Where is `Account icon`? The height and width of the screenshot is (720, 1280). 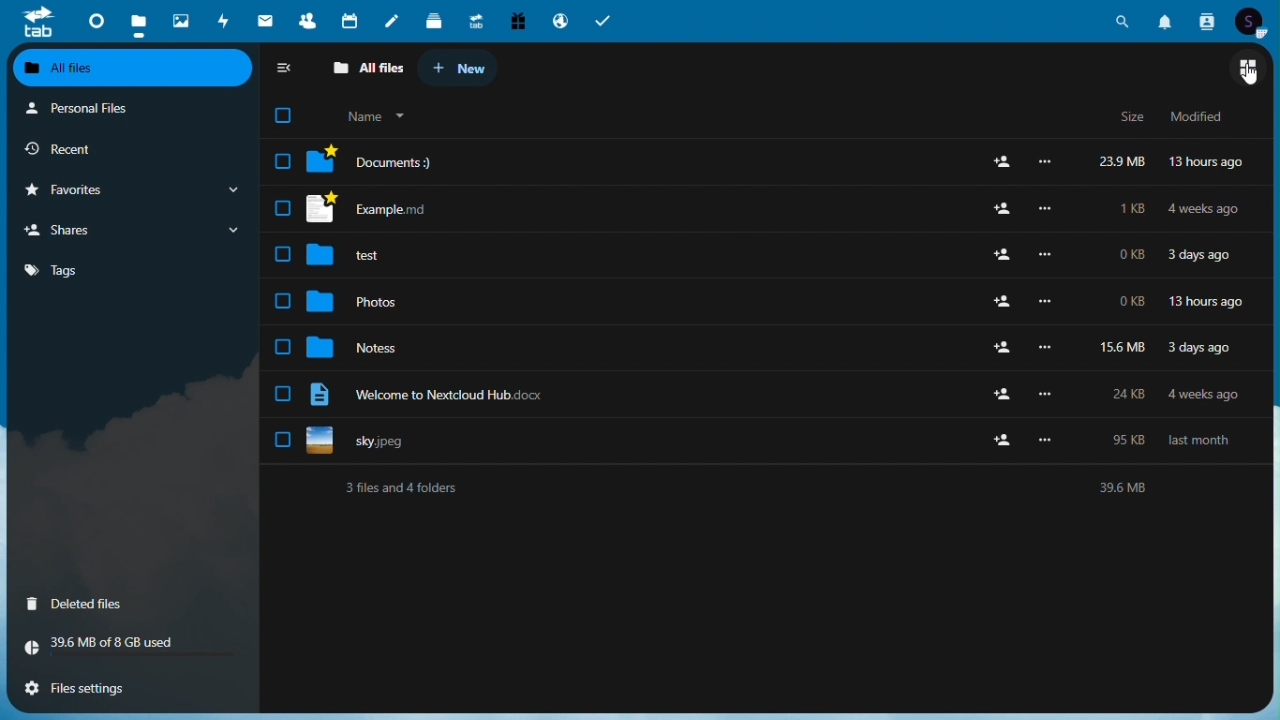
Account icon is located at coordinates (1251, 22).